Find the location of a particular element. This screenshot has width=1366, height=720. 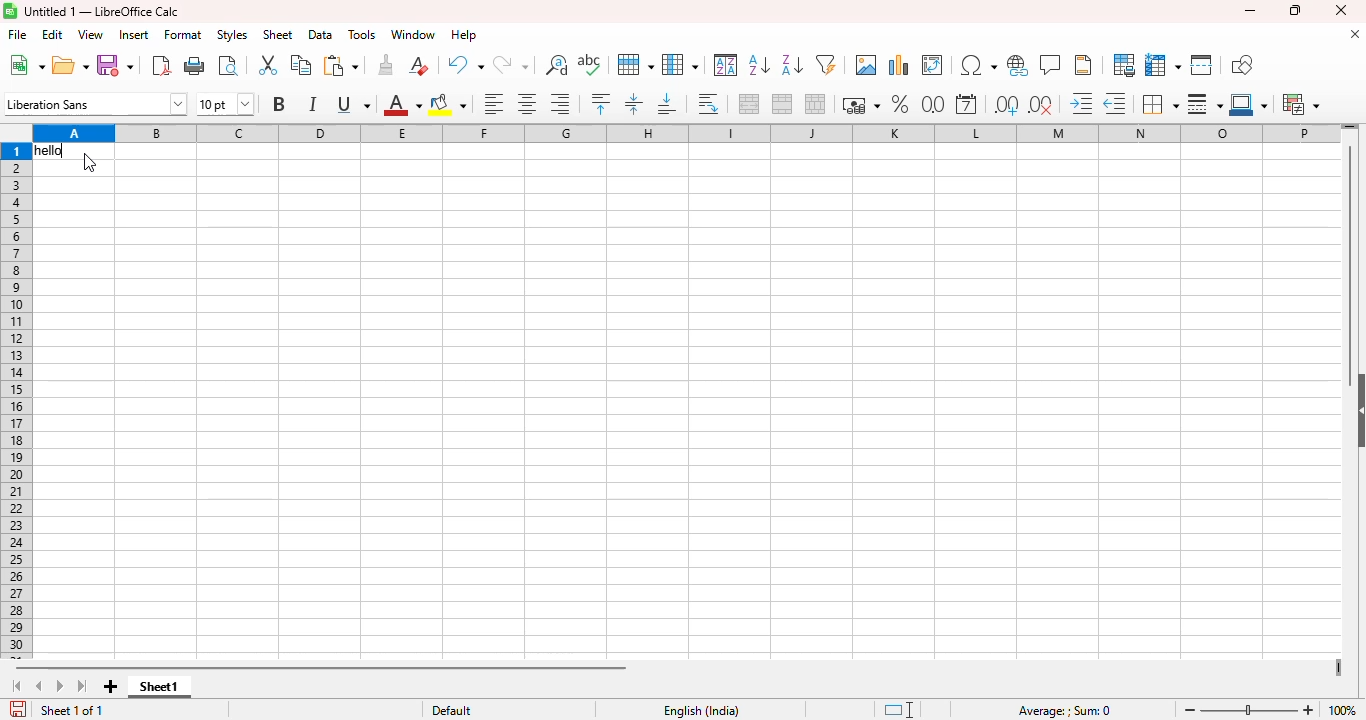

underline is located at coordinates (353, 104).